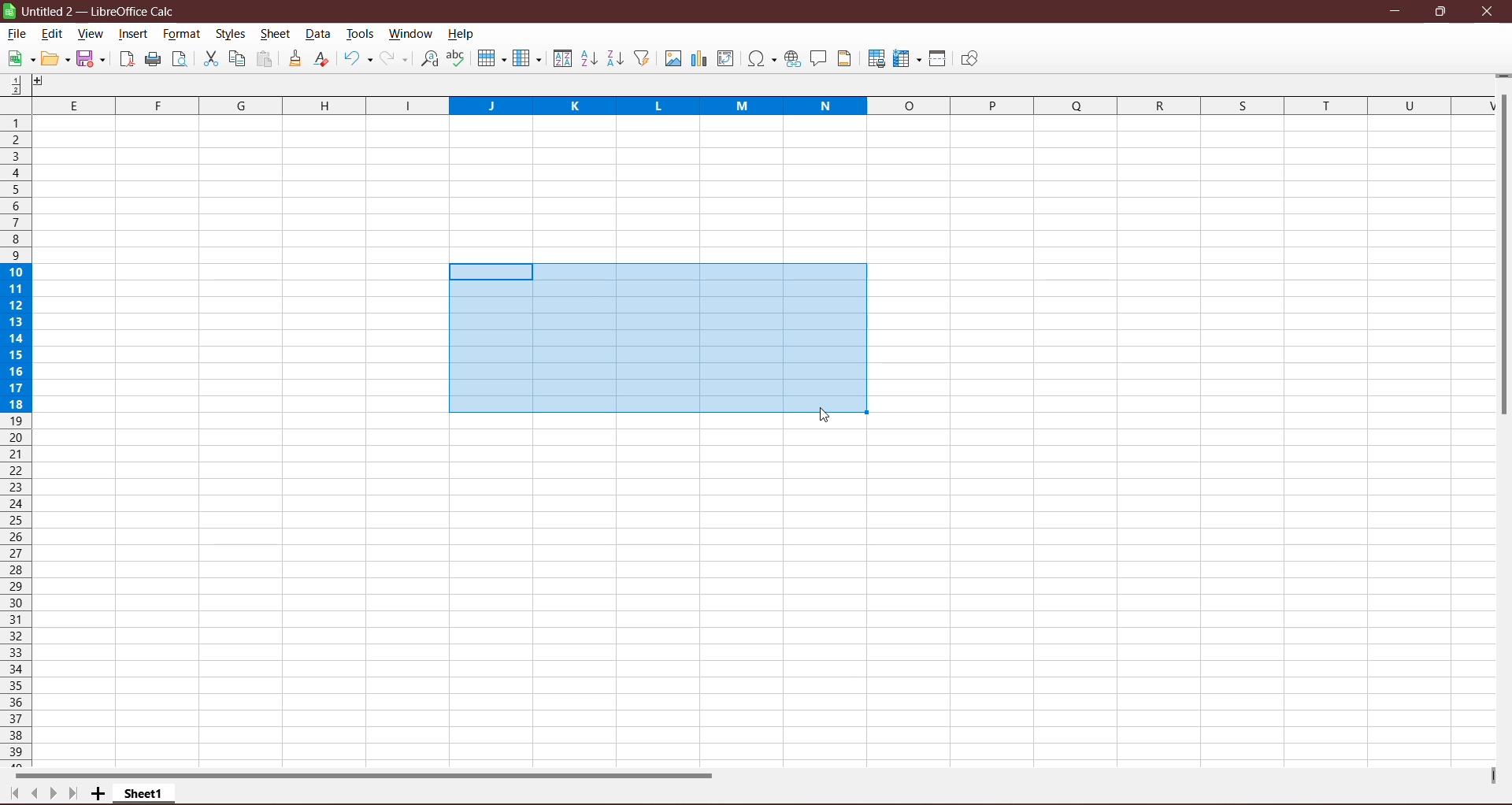  I want to click on Minimize, so click(1397, 11).